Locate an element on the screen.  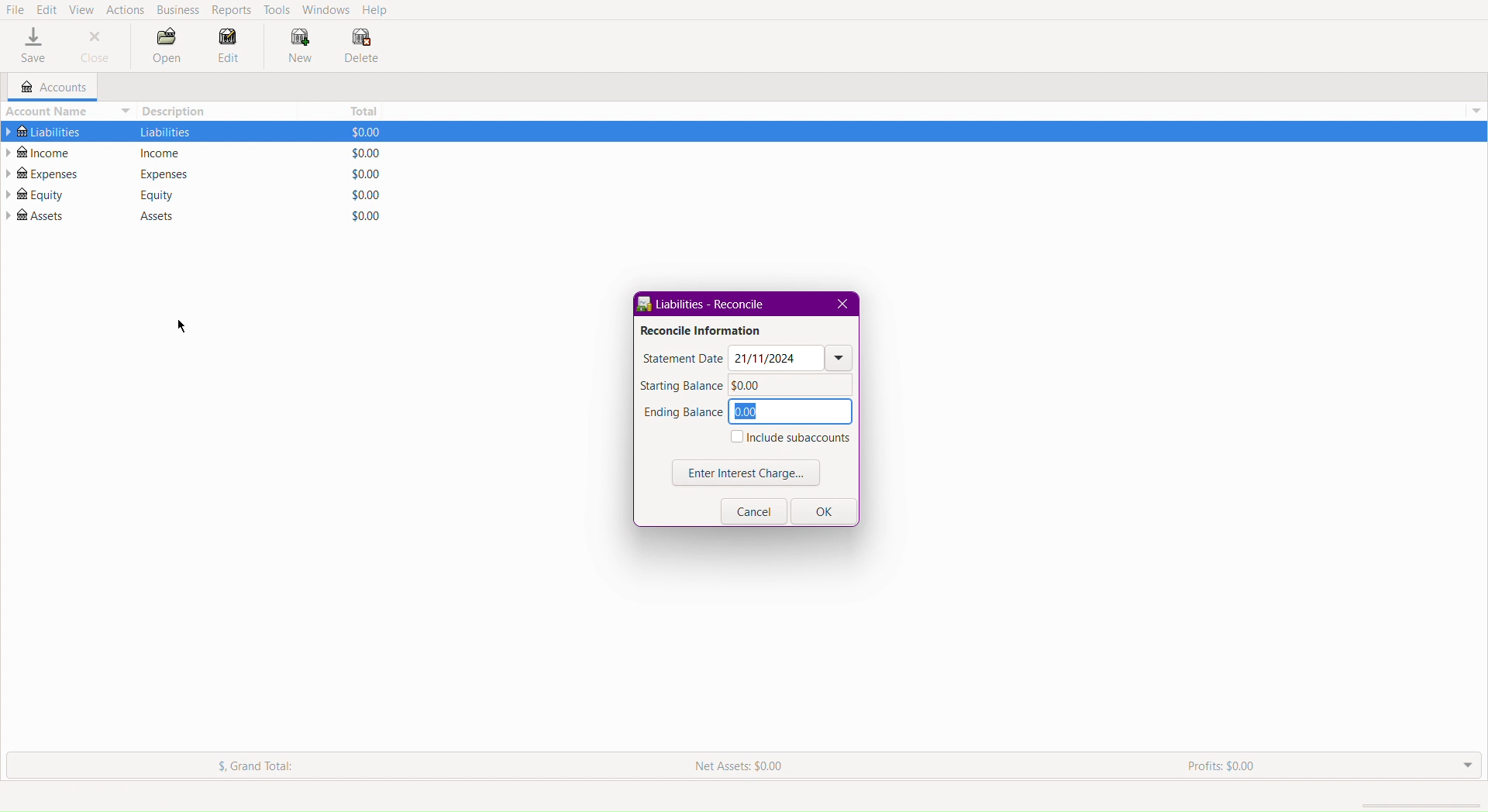
0.00 is located at coordinates (790, 386).